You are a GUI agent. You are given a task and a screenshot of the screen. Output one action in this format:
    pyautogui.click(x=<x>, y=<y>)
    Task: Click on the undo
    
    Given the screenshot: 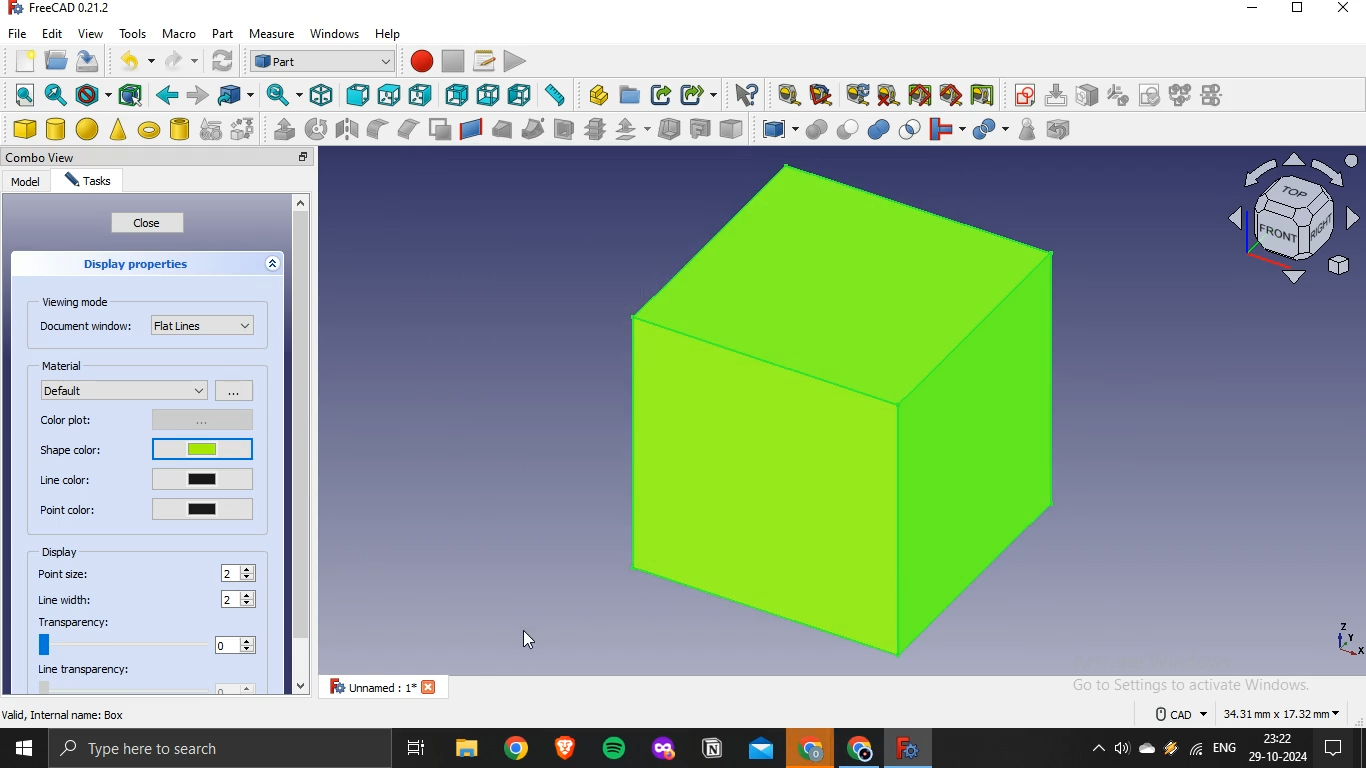 What is the action you would take?
    pyautogui.click(x=128, y=60)
    